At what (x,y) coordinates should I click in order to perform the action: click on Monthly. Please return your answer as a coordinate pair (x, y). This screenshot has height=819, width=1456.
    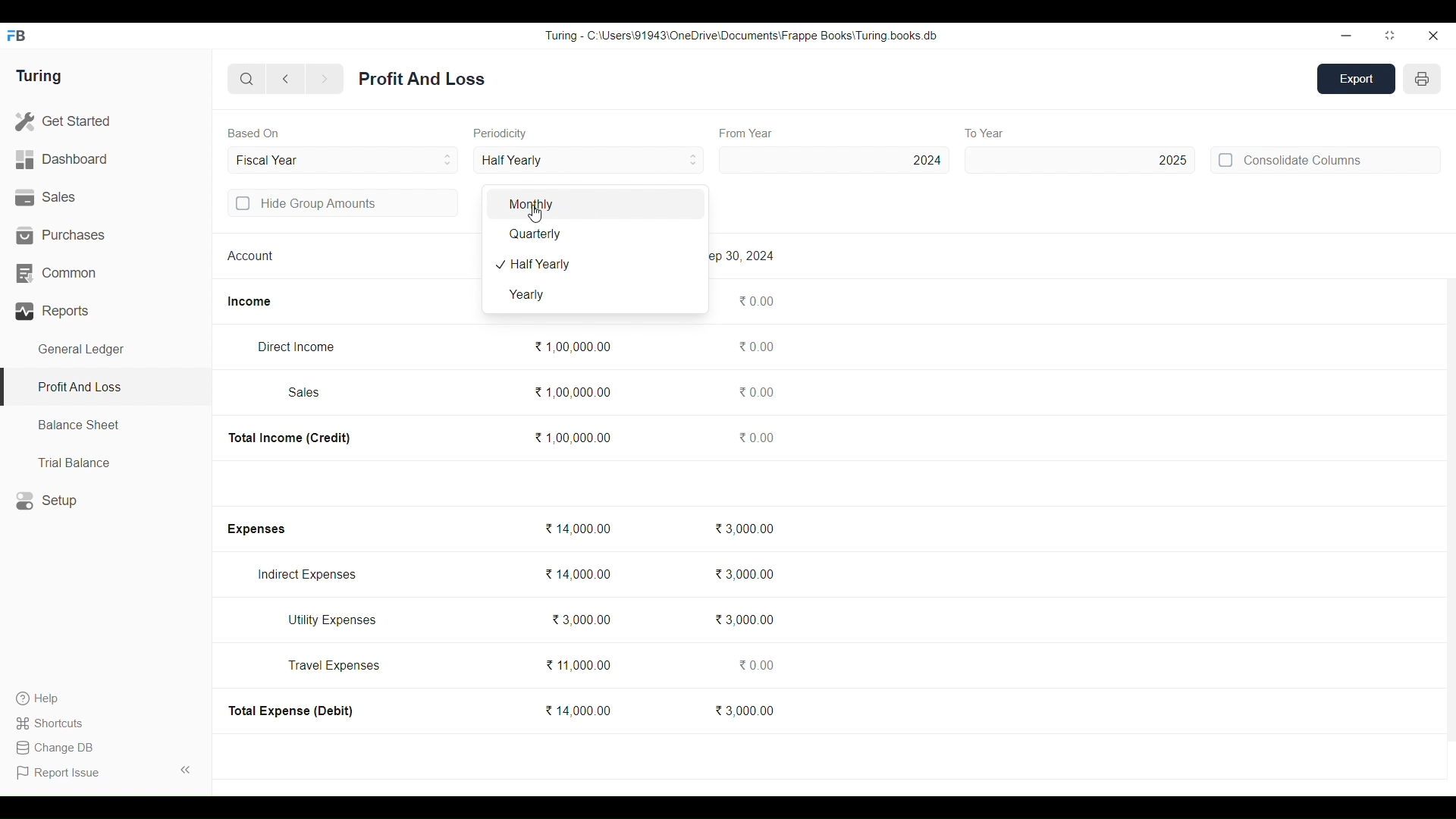
    Looking at the image, I should click on (595, 204).